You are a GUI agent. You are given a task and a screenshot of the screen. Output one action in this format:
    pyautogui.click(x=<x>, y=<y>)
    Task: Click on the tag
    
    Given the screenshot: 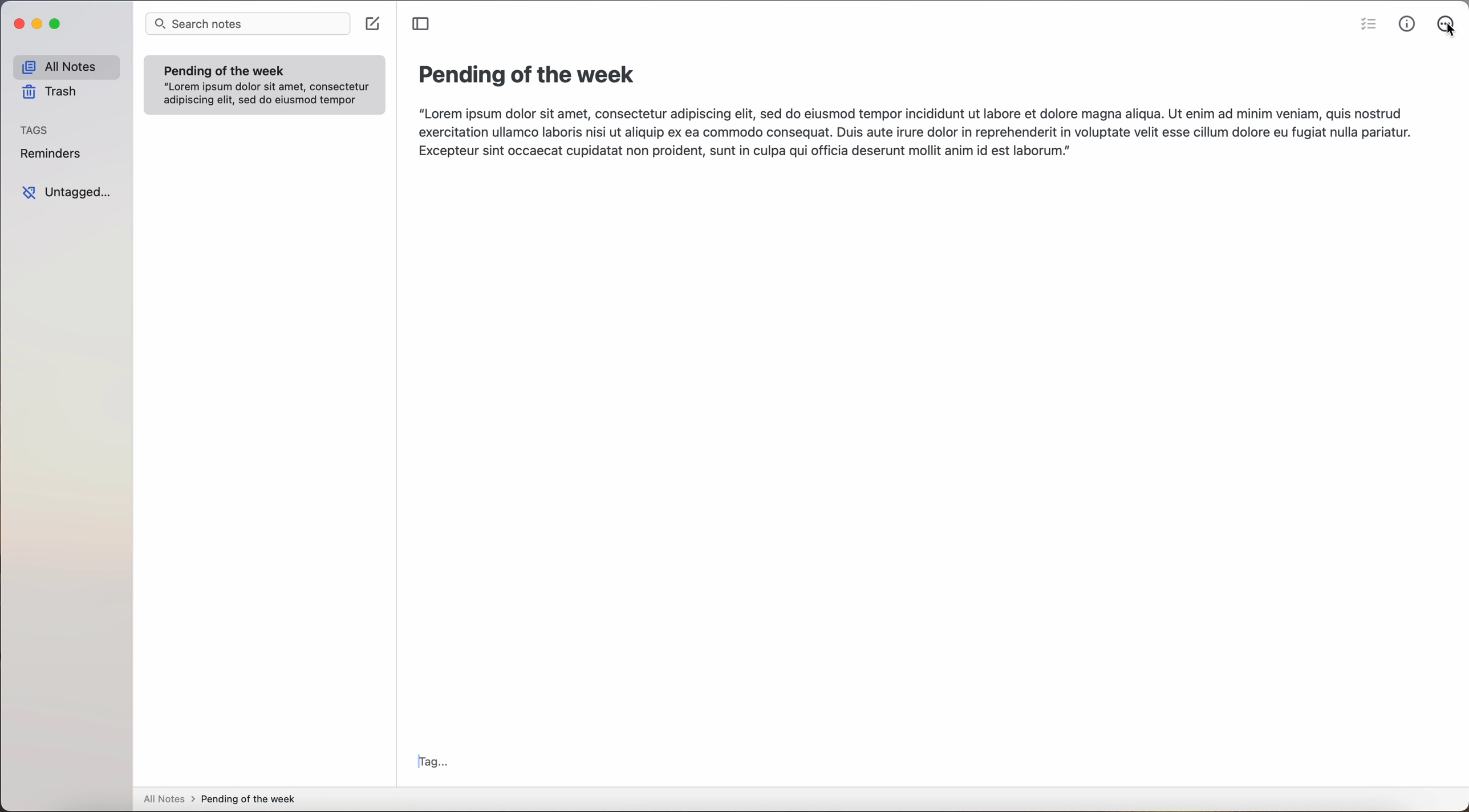 What is the action you would take?
    pyautogui.click(x=435, y=763)
    